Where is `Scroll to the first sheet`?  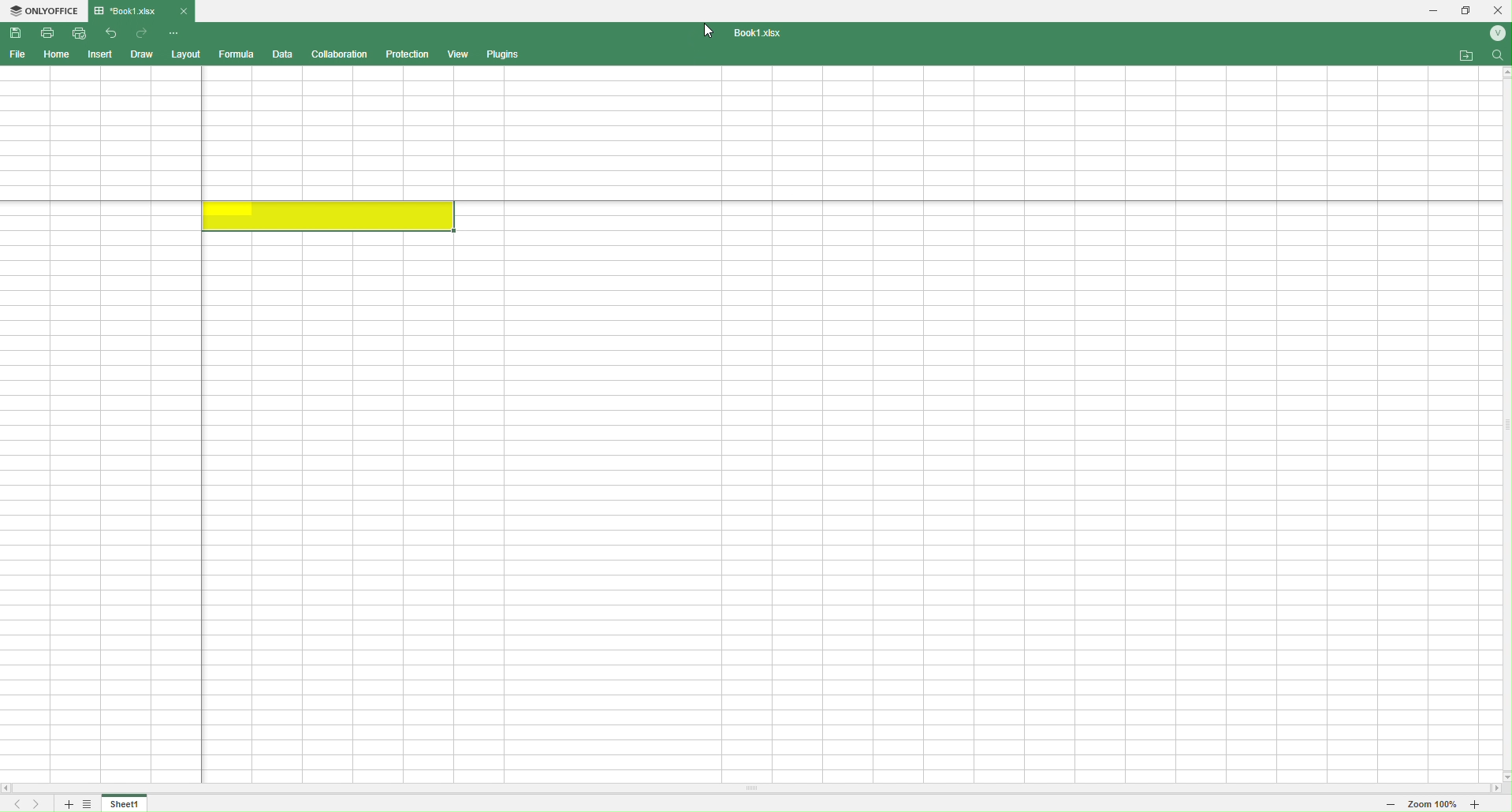
Scroll to the first sheet is located at coordinates (14, 805).